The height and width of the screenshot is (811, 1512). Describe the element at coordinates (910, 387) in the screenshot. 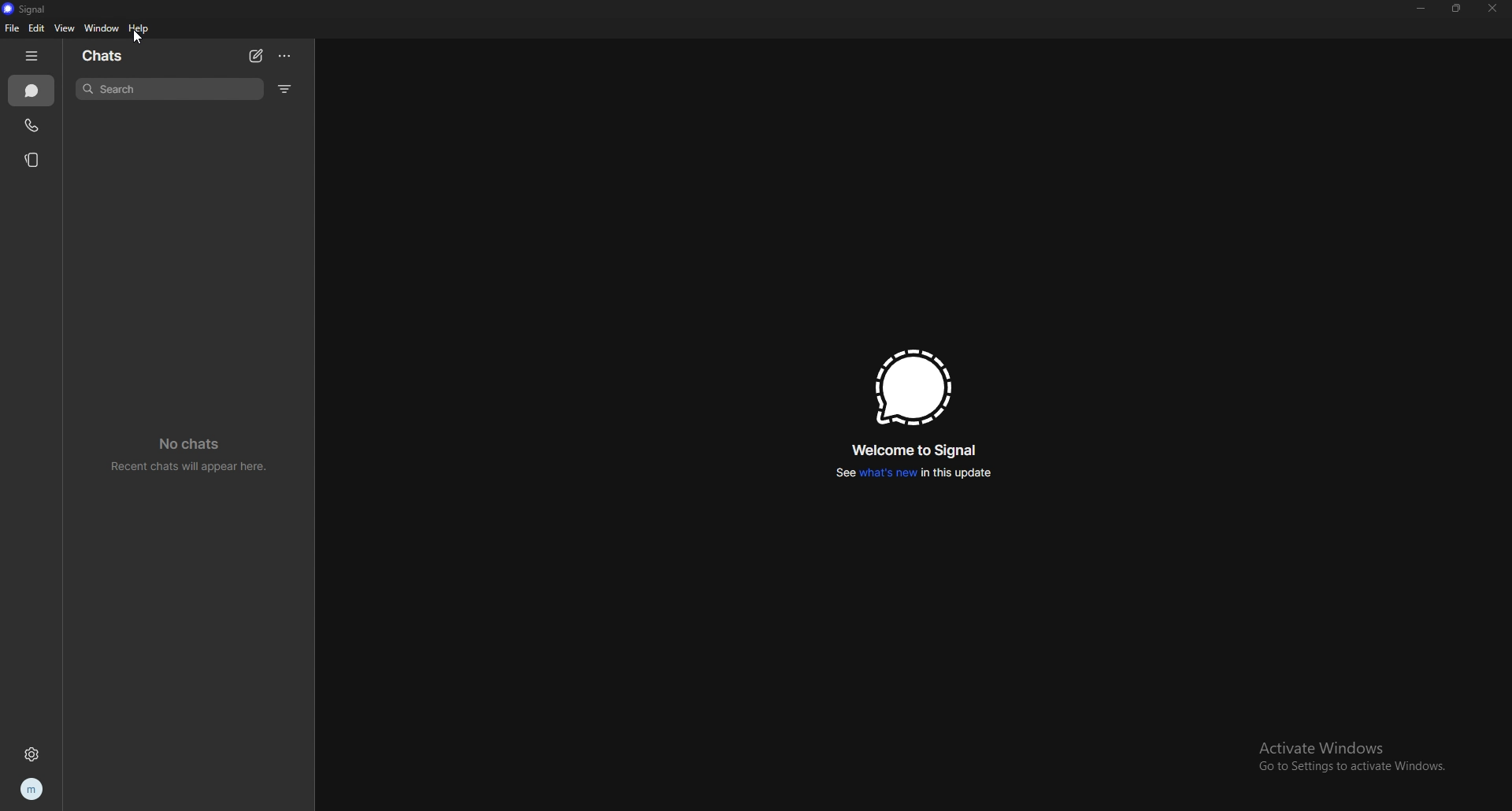

I see `signal logo` at that location.